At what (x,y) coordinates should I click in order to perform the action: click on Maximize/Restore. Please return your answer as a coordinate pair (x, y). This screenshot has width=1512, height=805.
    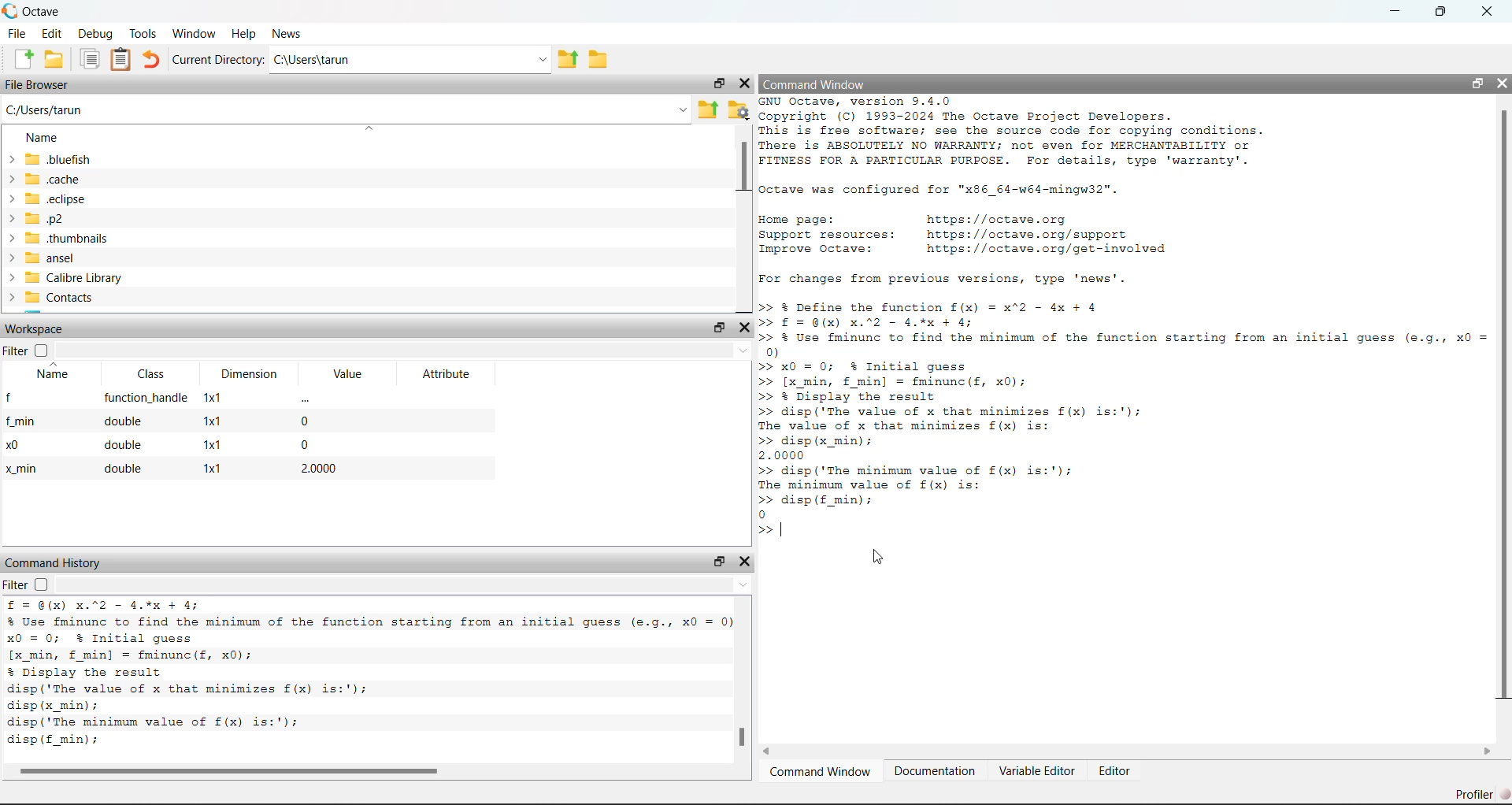
    Looking at the image, I should click on (719, 327).